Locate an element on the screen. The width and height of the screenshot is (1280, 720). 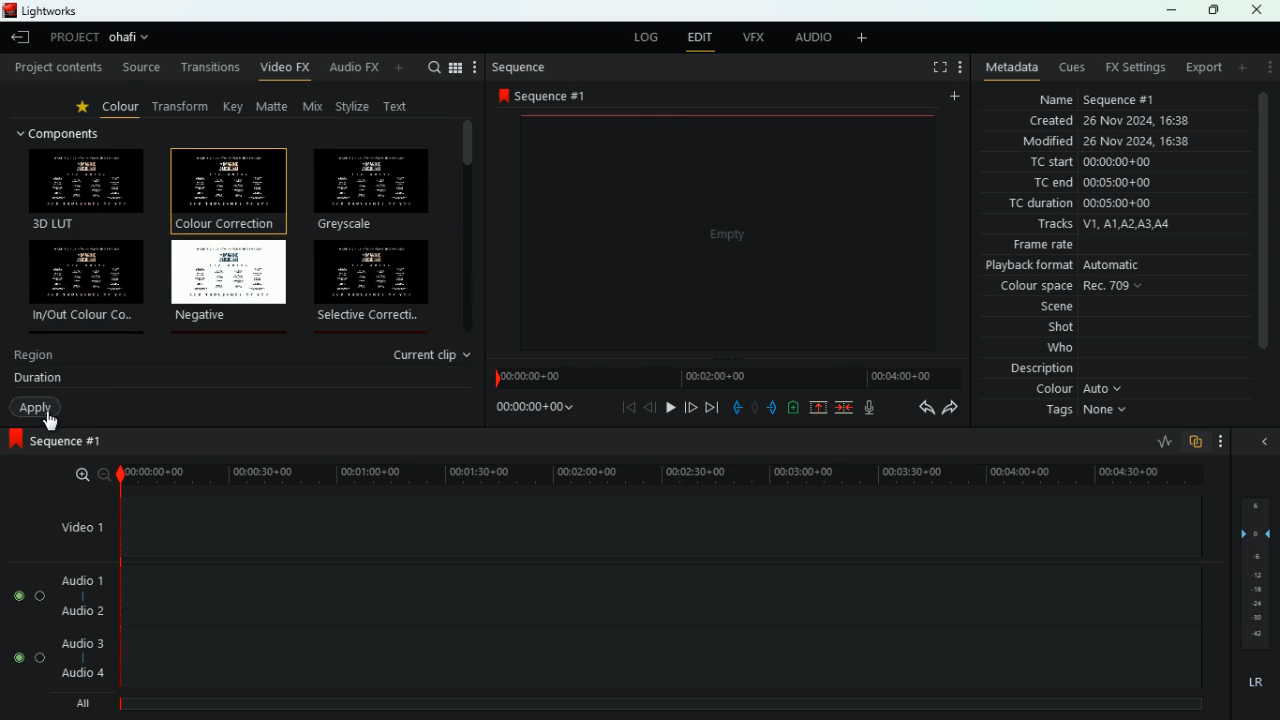
matte is located at coordinates (274, 107).